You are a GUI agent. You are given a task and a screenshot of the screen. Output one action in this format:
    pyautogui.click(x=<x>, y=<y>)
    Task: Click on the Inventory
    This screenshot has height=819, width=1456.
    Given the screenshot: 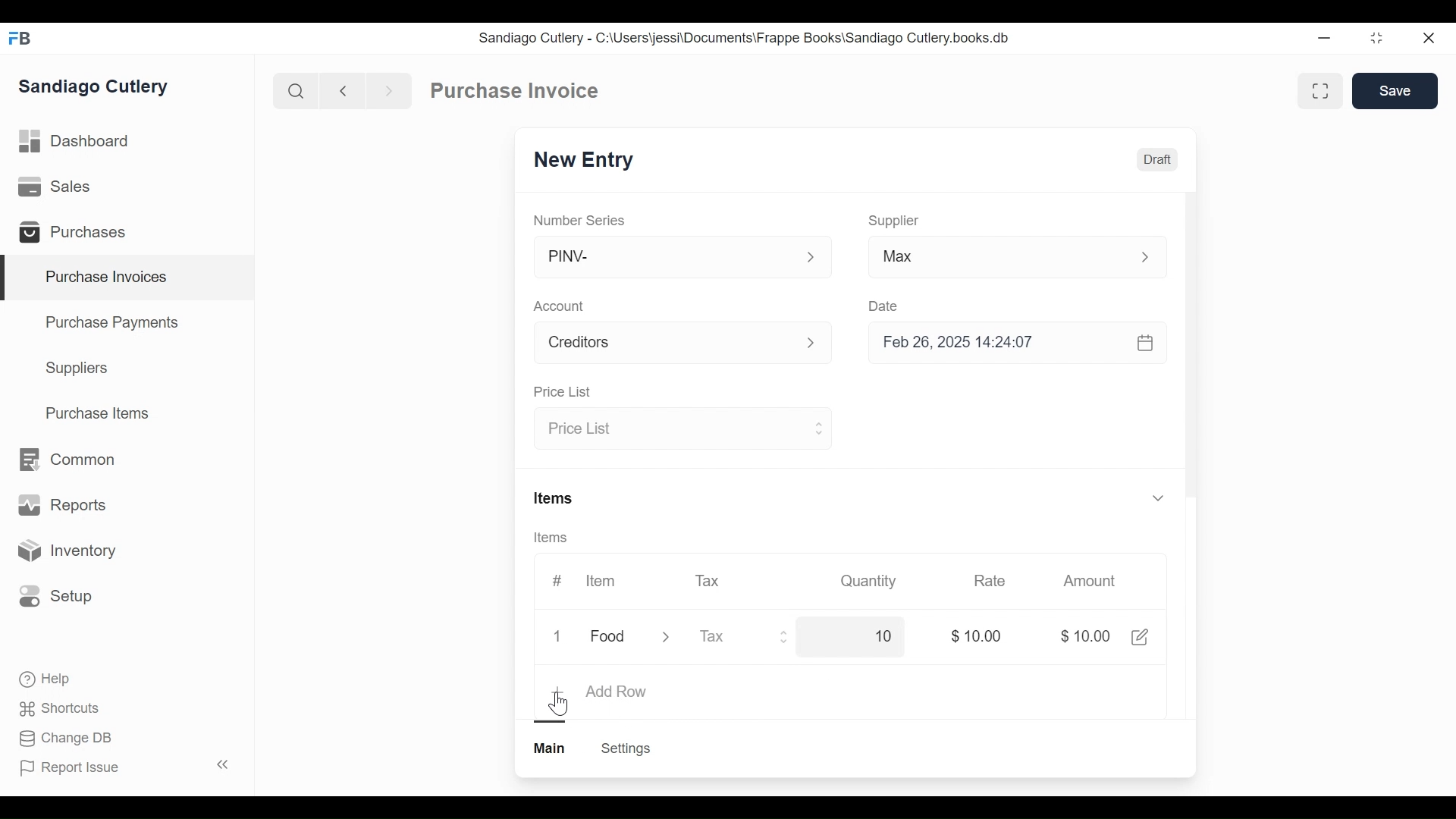 What is the action you would take?
    pyautogui.click(x=65, y=551)
    